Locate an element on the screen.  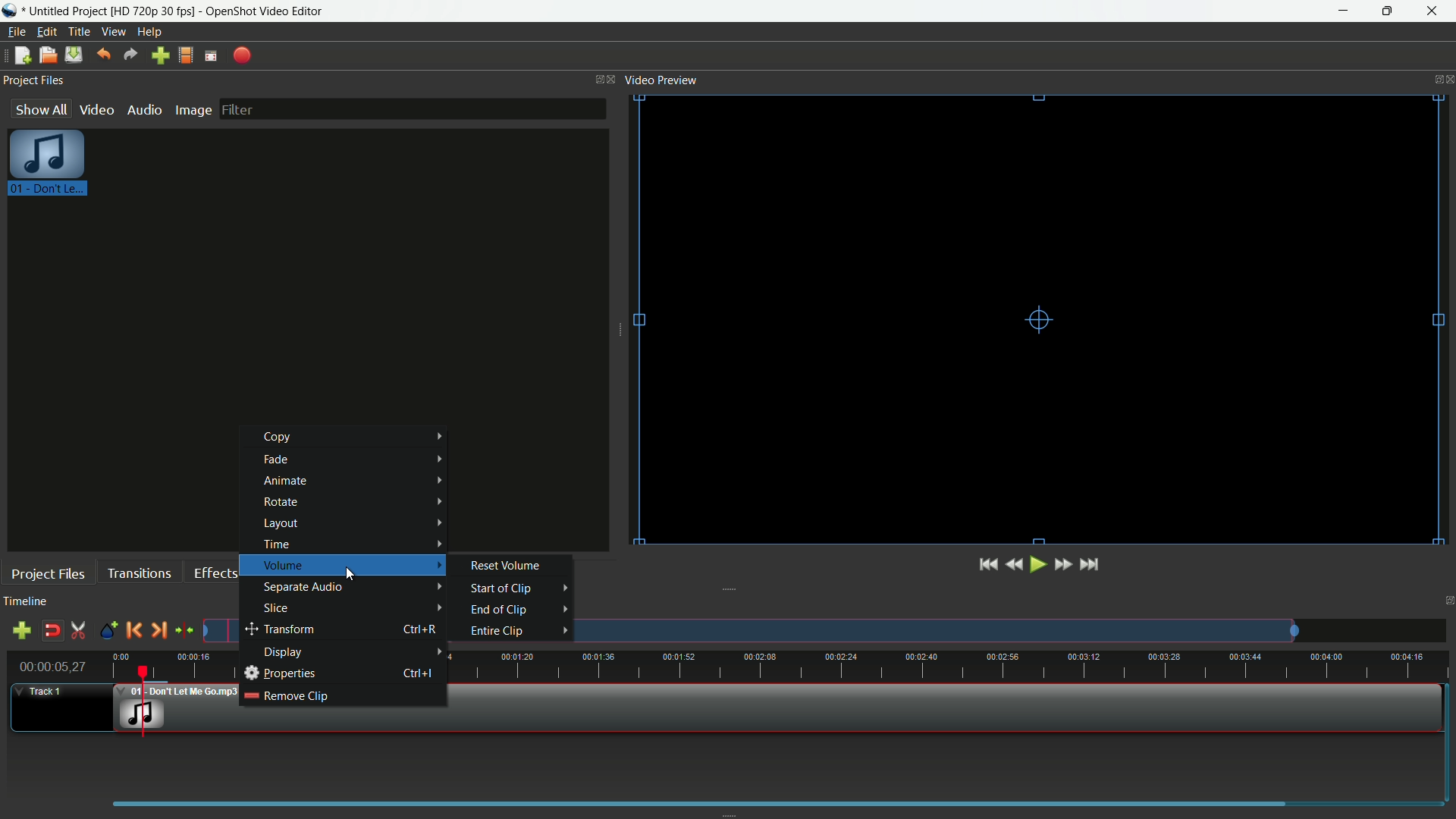
cursor is located at coordinates (354, 570).